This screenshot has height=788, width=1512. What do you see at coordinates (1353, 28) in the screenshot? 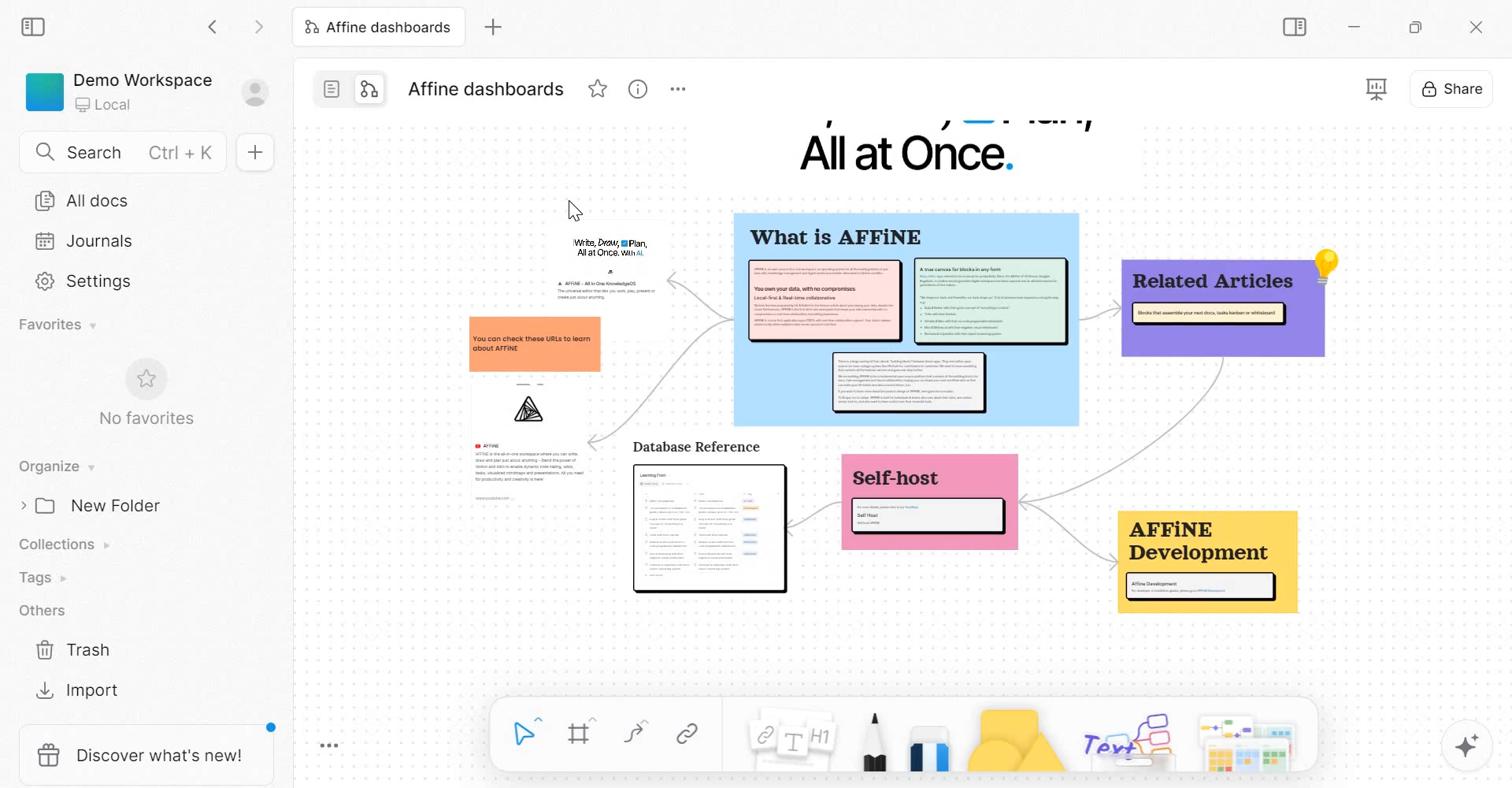
I see `Minimize` at bounding box center [1353, 28].